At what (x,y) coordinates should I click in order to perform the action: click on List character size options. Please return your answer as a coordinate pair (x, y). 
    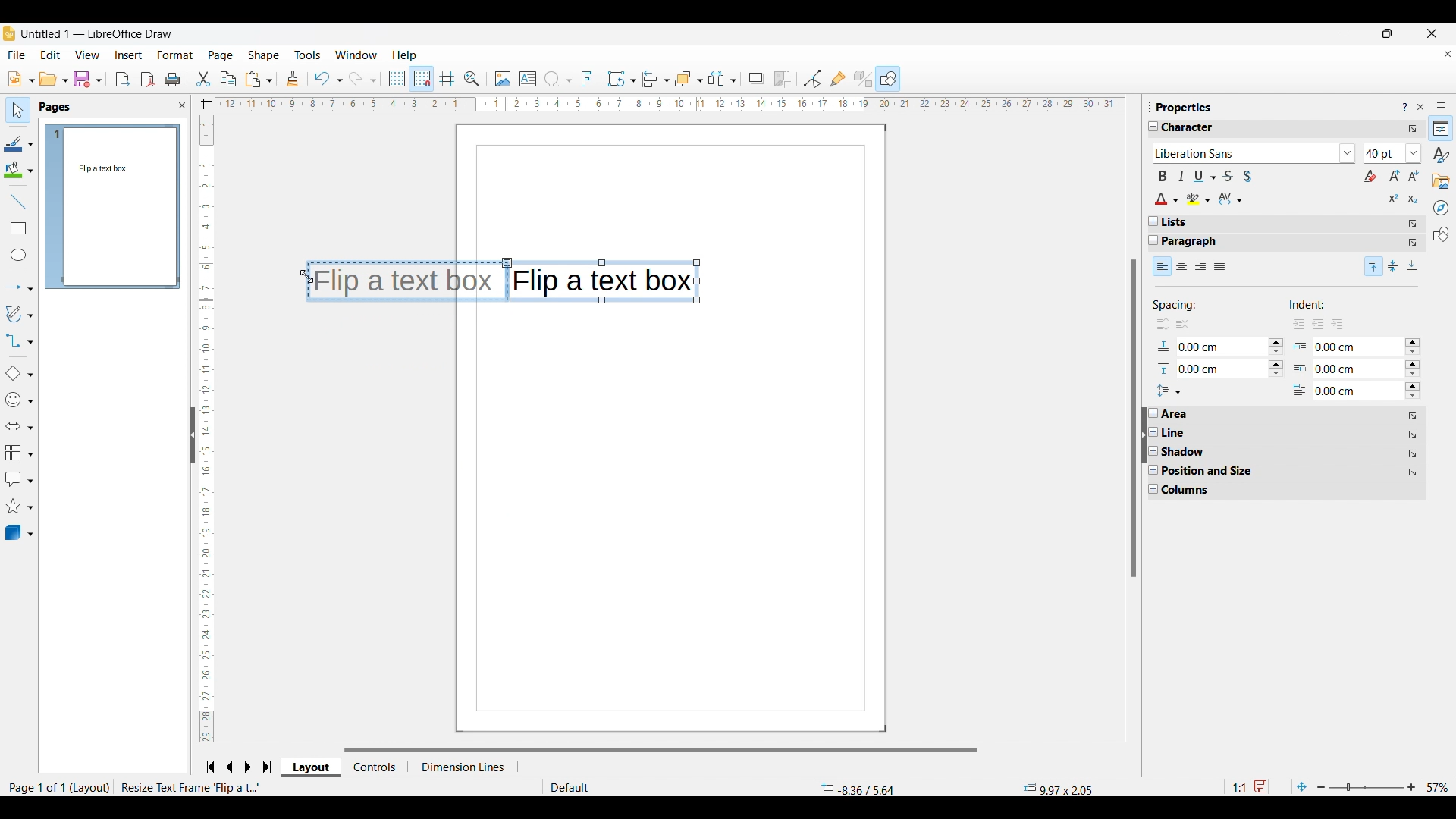
    Looking at the image, I should click on (1414, 153).